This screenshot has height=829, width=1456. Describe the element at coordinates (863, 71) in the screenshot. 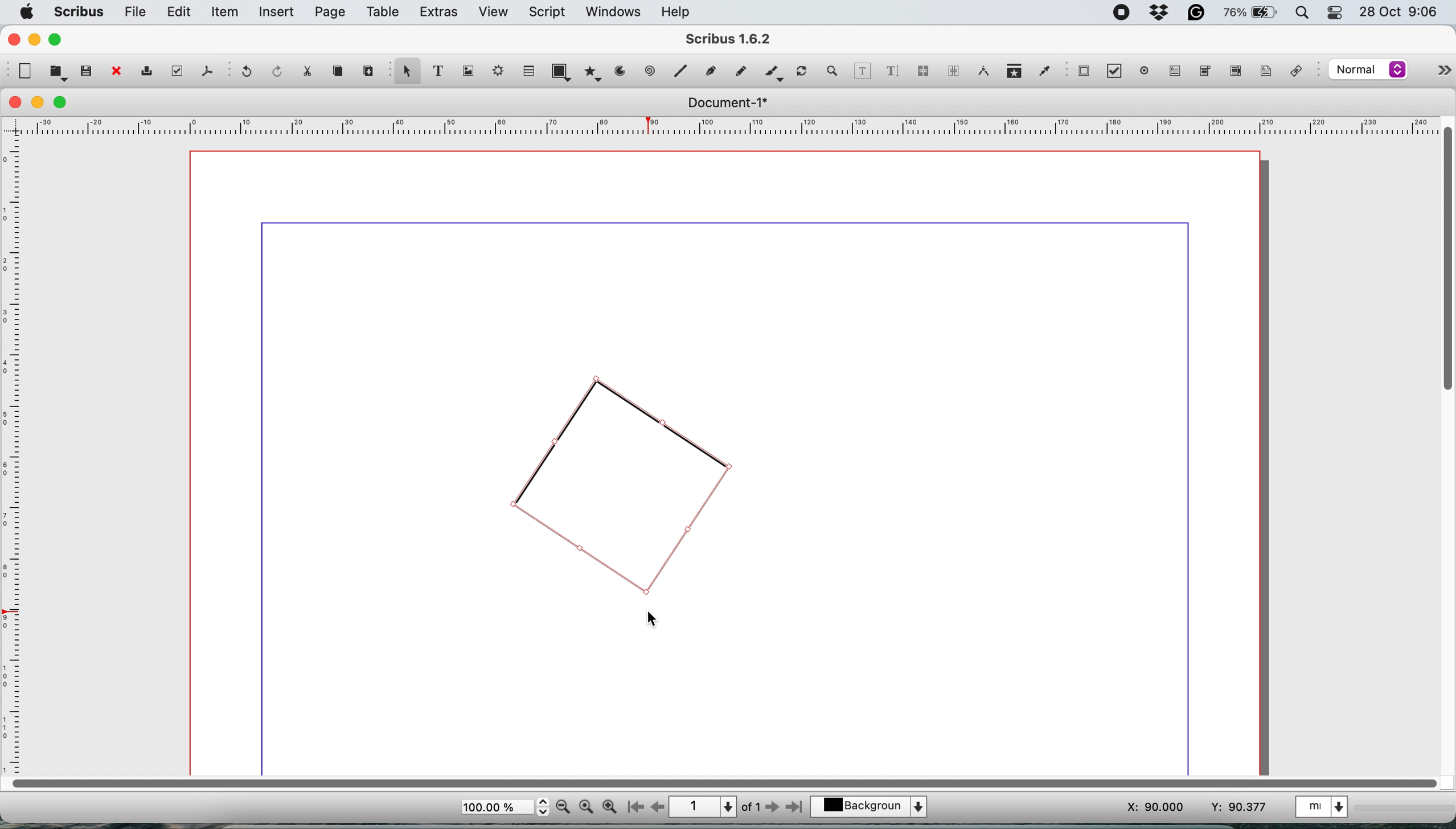

I see `edit contents of frame` at that location.